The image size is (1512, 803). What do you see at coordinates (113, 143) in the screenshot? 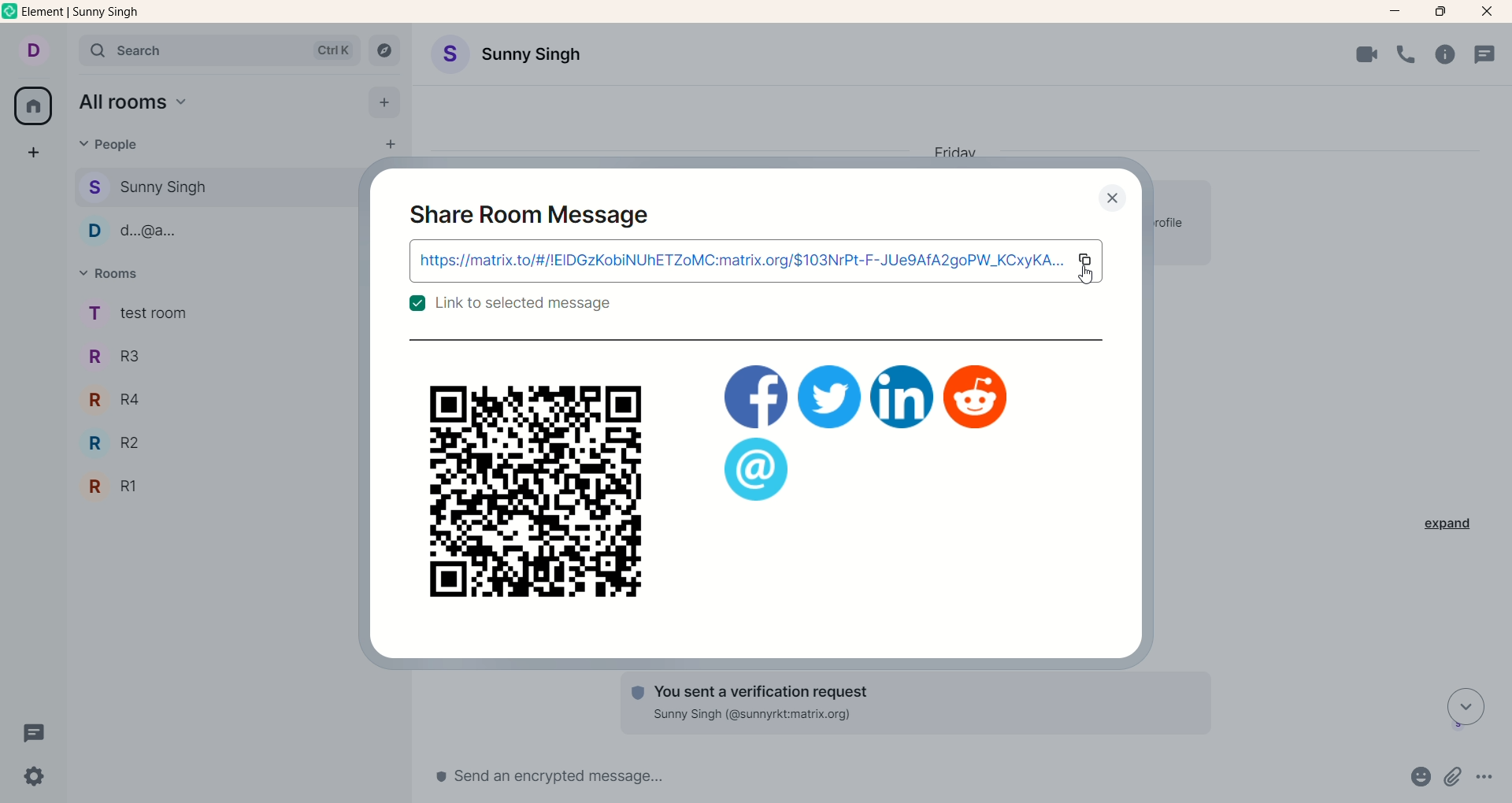
I see `people` at bounding box center [113, 143].